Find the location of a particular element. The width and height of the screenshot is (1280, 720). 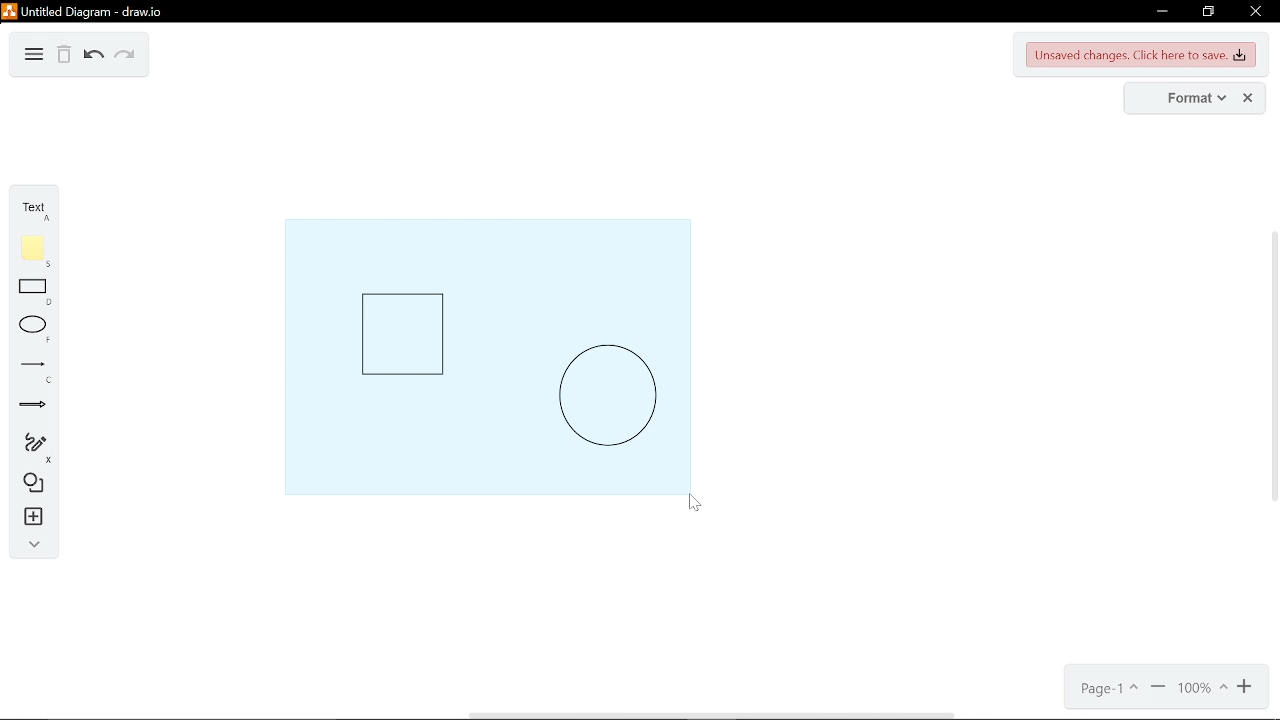

format is located at coordinates (1191, 99).